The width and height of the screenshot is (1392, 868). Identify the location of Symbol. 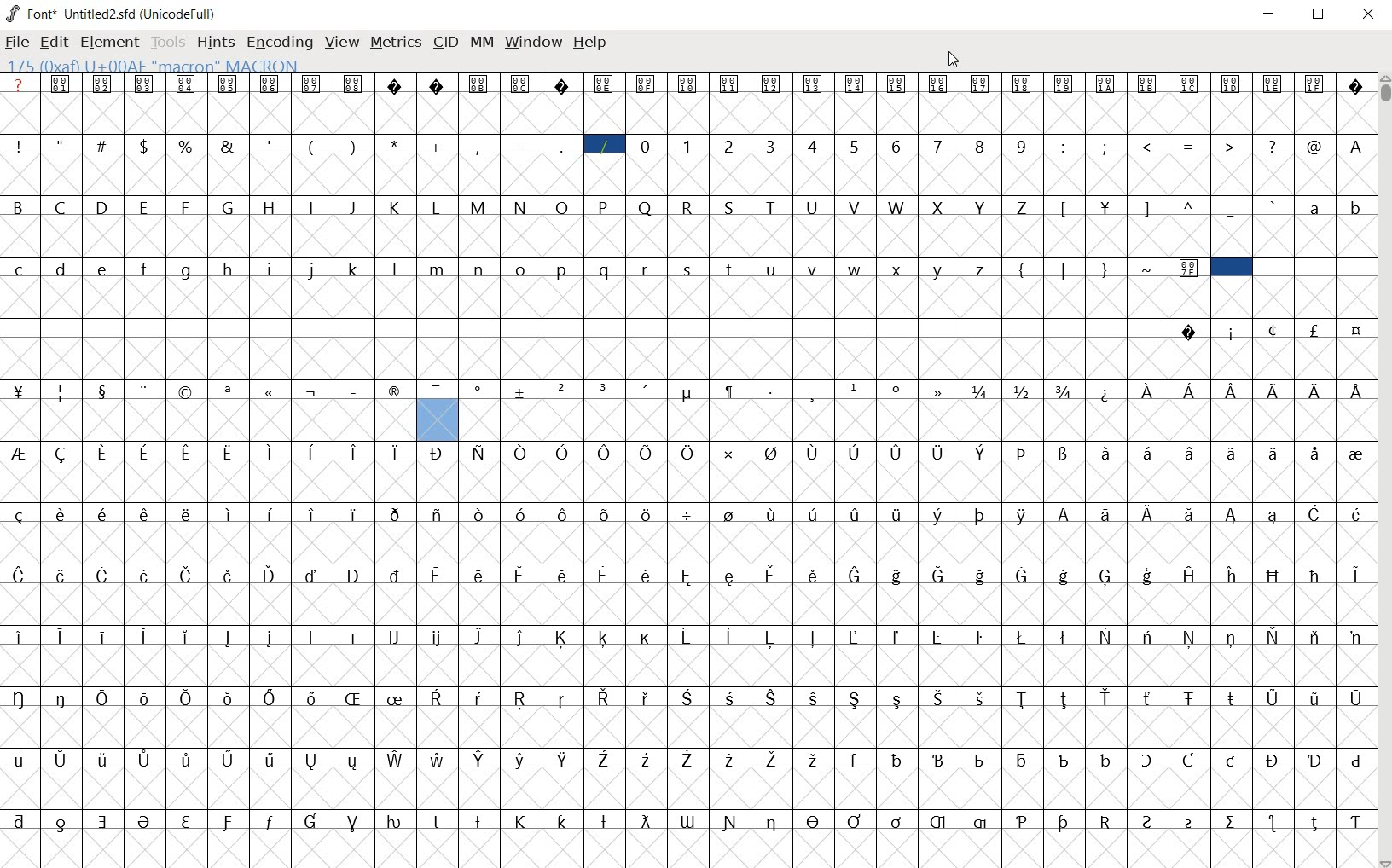
(1106, 391).